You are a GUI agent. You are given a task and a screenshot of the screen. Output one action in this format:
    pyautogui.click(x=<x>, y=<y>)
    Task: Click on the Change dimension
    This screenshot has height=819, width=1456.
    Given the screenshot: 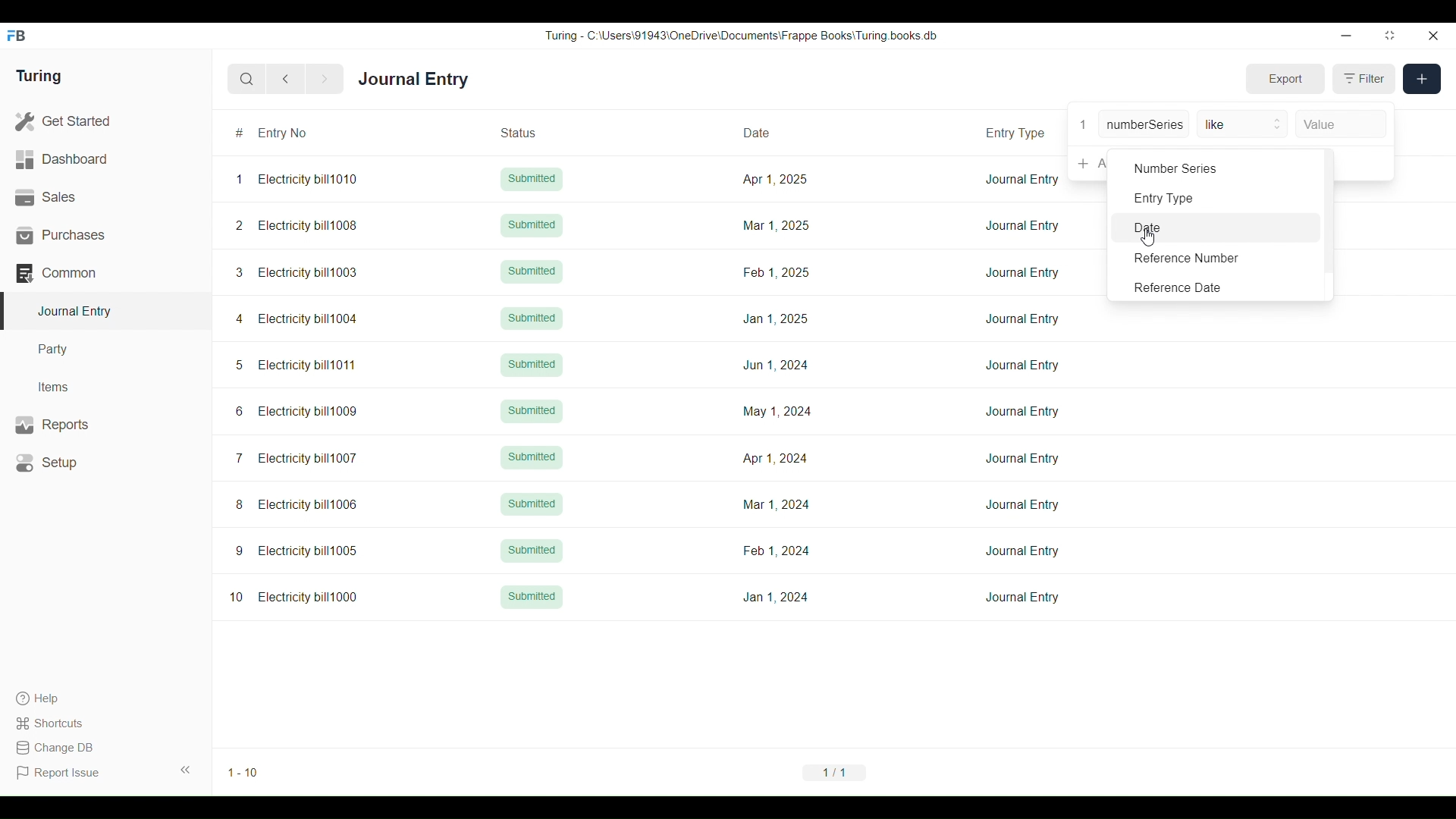 What is the action you would take?
    pyautogui.click(x=1390, y=35)
    